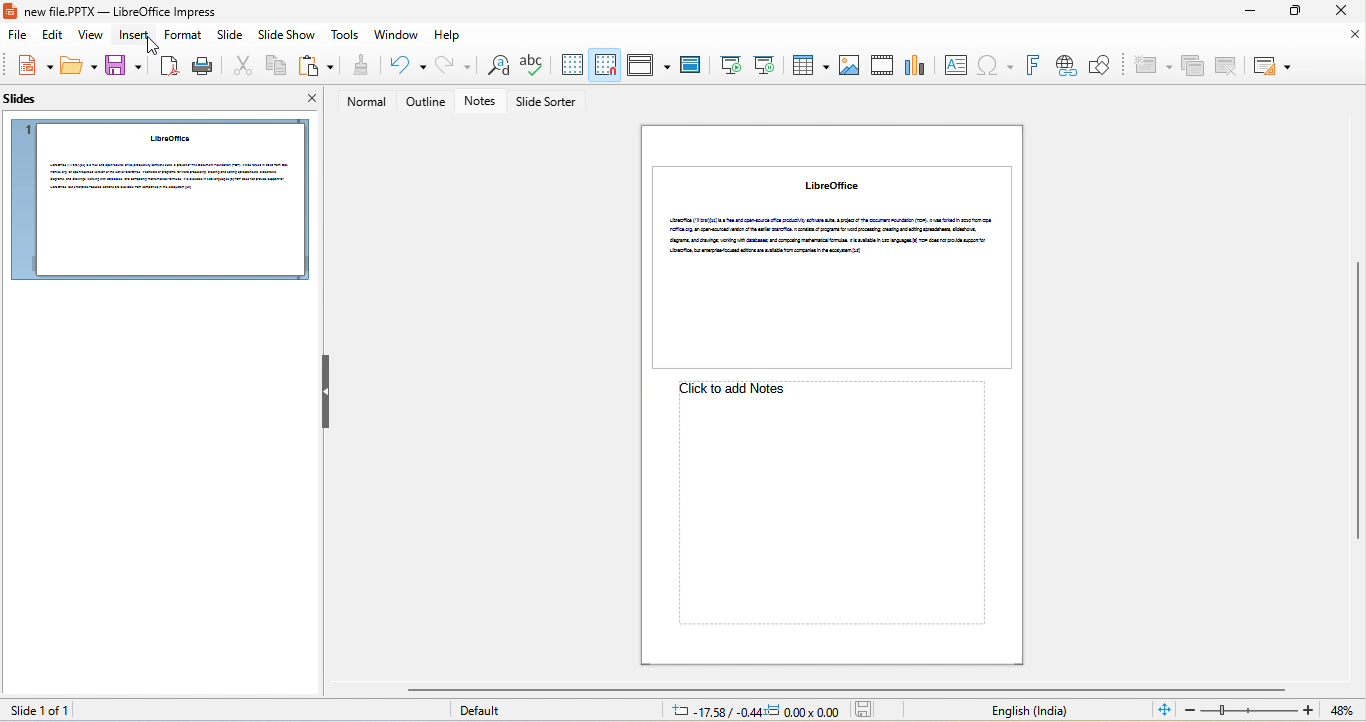 The image size is (1366, 722). Describe the element at coordinates (1227, 65) in the screenshot. I see `delete slide` at that location.